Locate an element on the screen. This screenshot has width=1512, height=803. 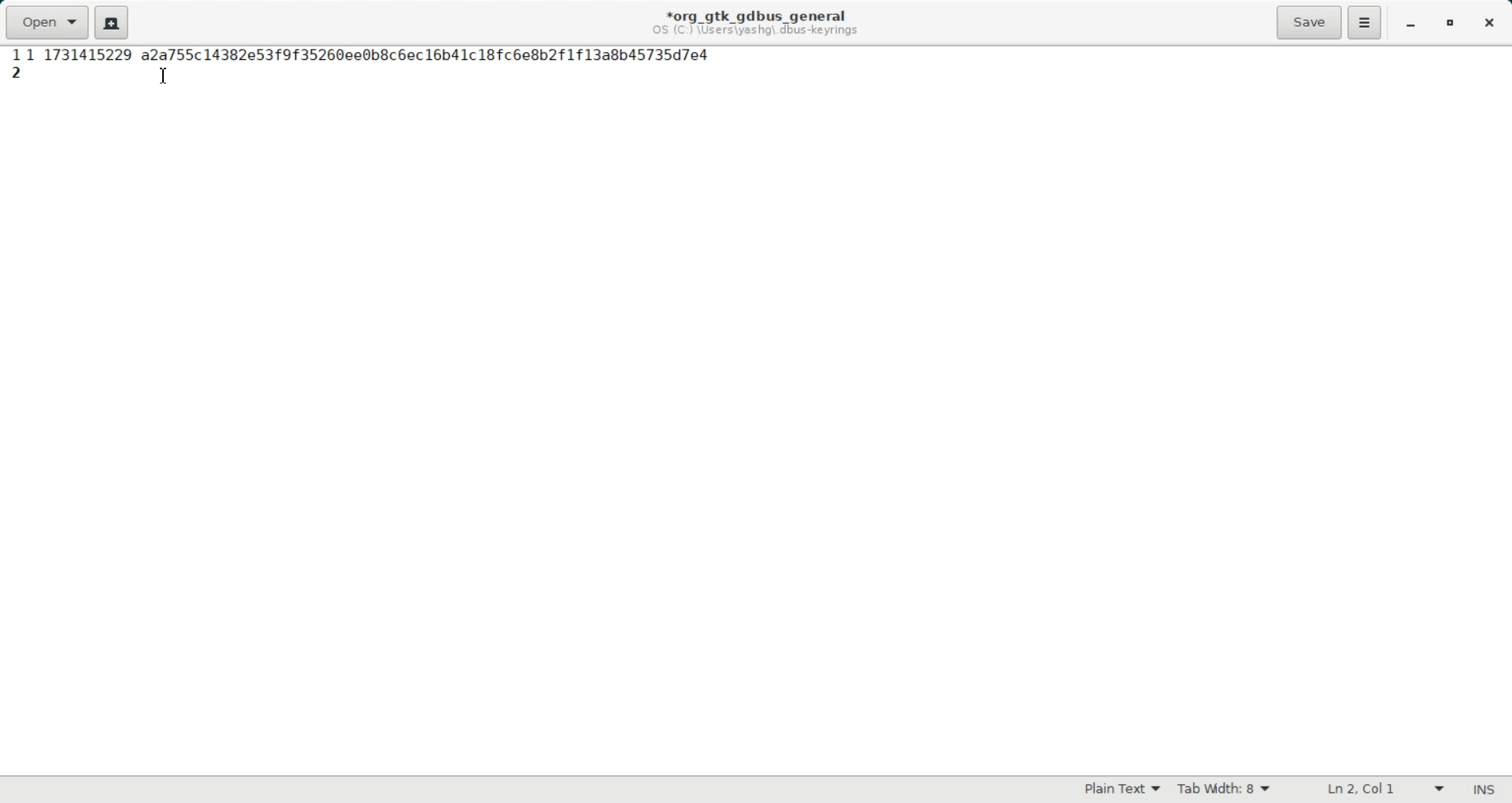
Line Number is located at coordinates (14, 56).